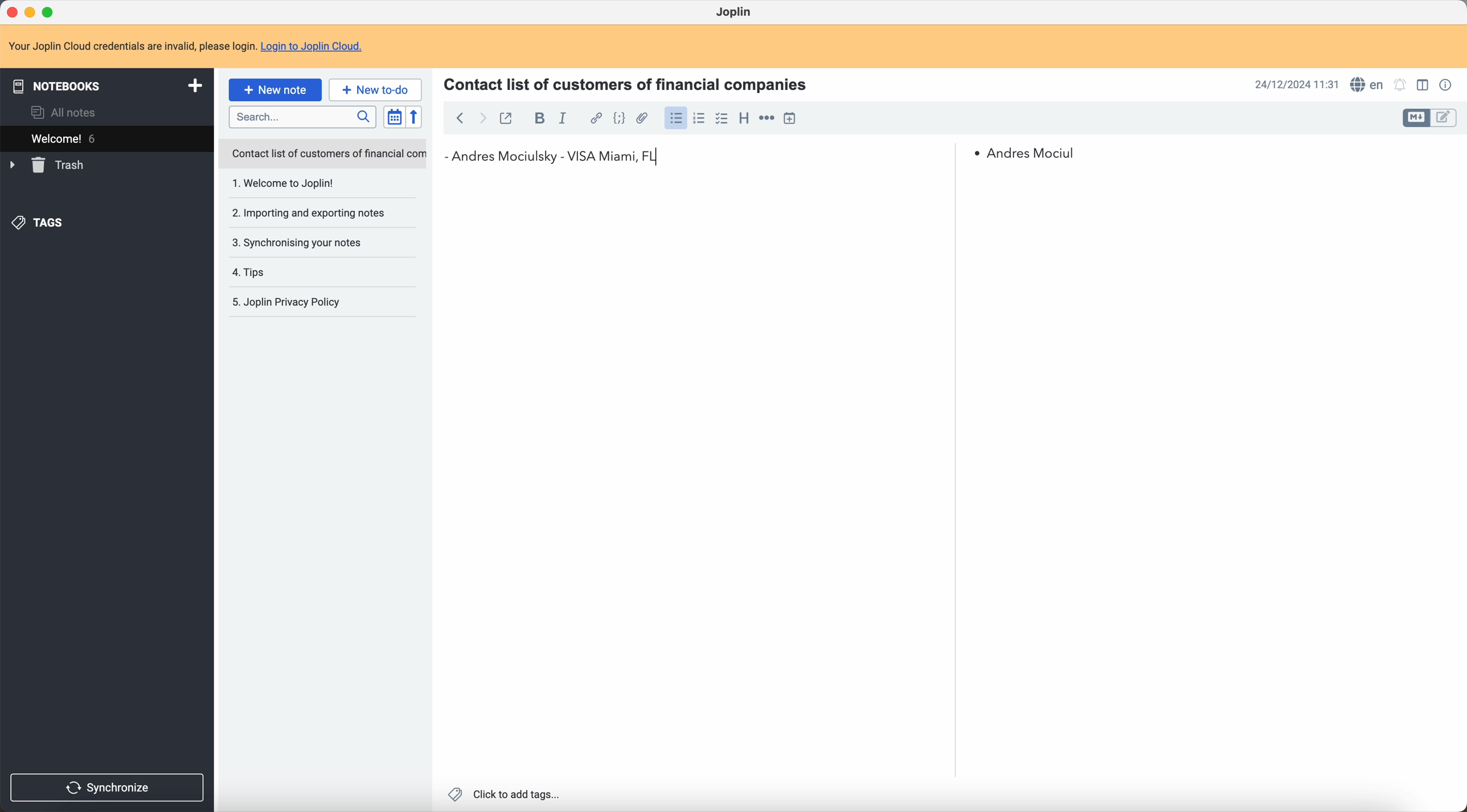 This screenshot has height=812, width=1467. What do you see at coordinates (413, 117) in the screenshot?
I see `reverse sort order` at bounding box center [413, 117].